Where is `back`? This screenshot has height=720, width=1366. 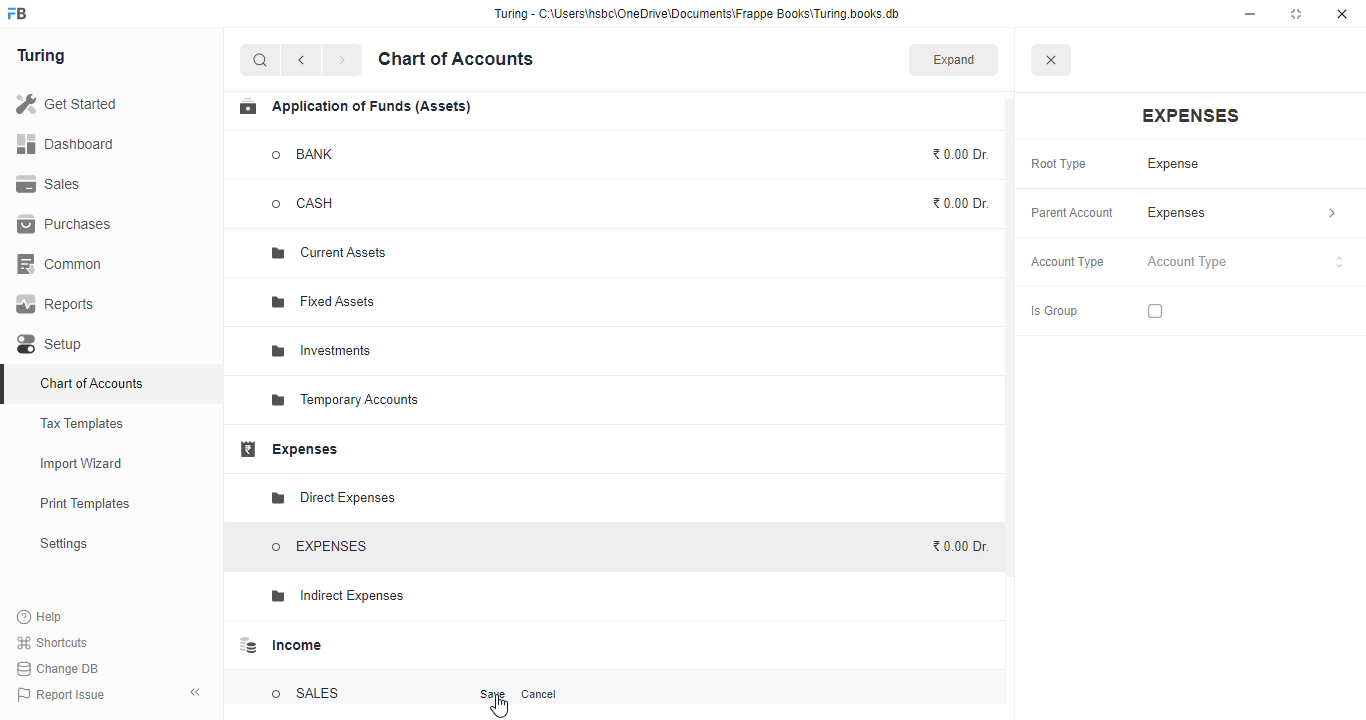 back is located at coordinates (301, 60).